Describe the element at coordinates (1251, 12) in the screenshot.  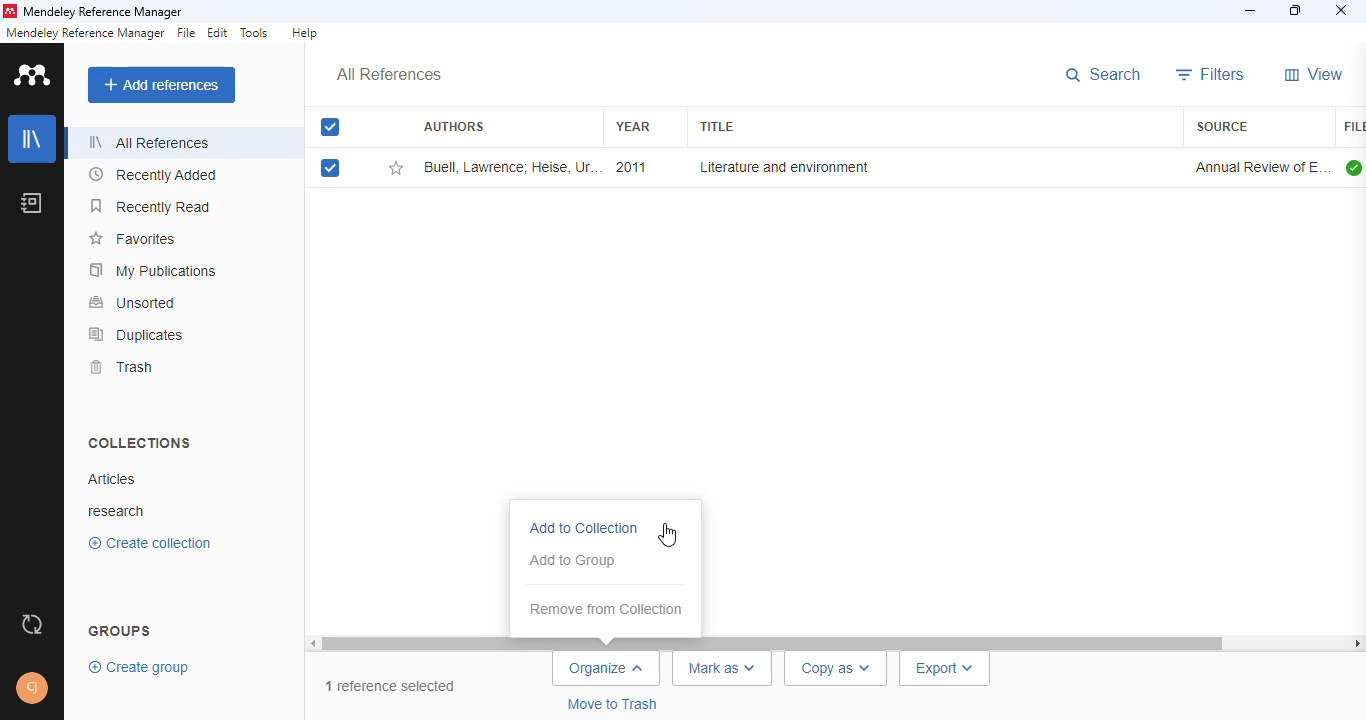
I see `minimize` at that location.